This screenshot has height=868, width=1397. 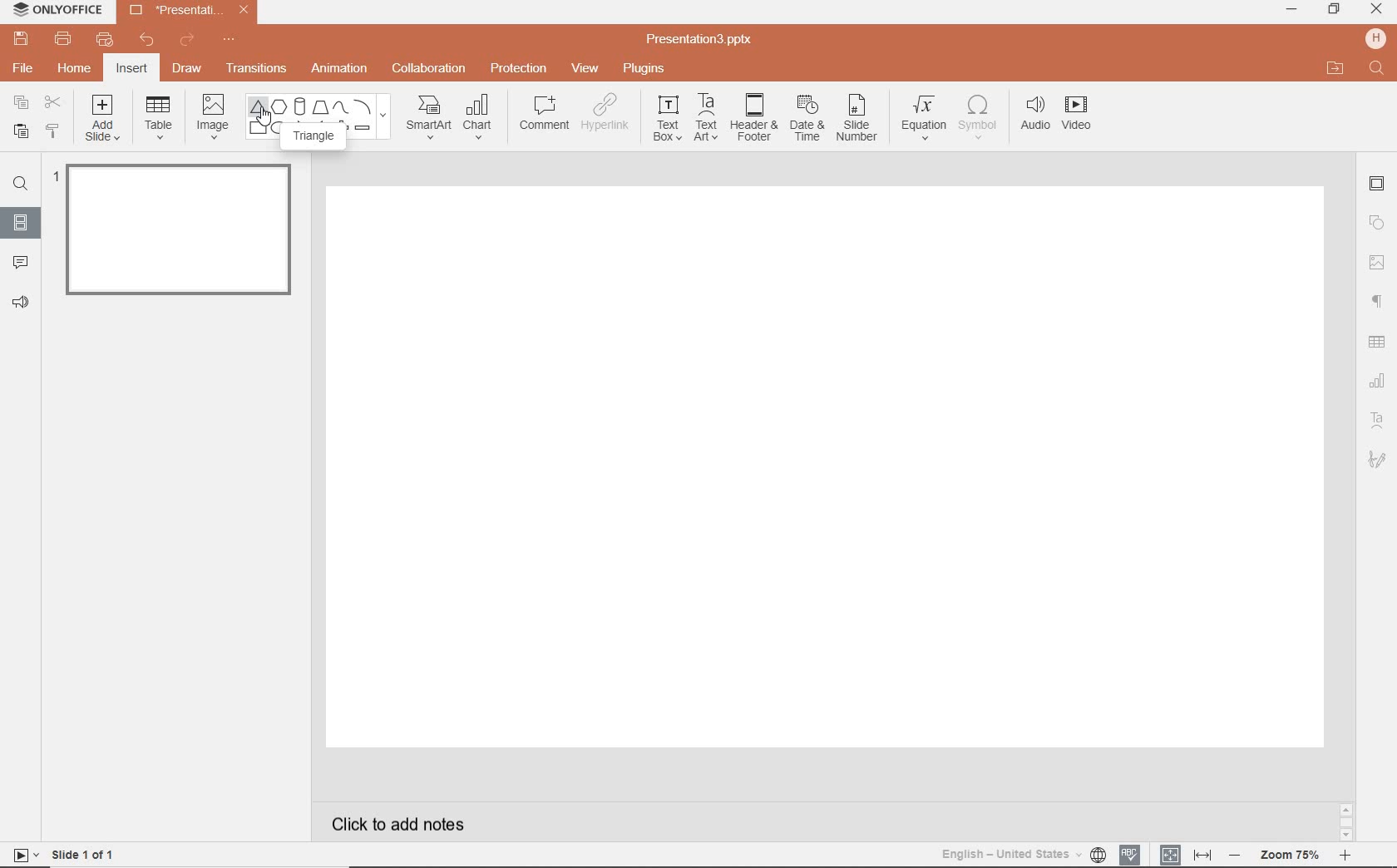 I want to click on AUDIO, so click(x=1031, y=115).